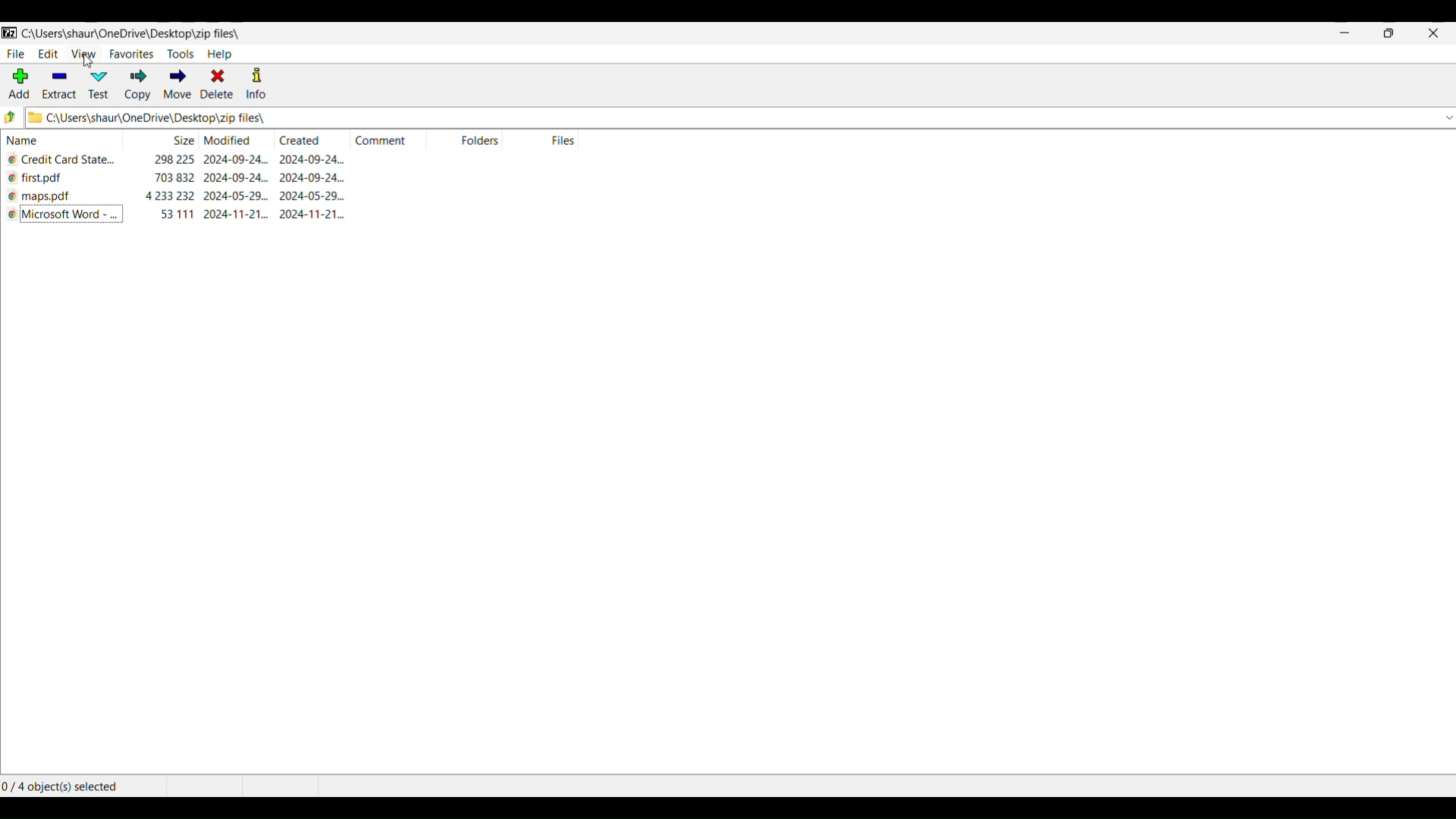  I want to click on creation date, so click(320, 197).